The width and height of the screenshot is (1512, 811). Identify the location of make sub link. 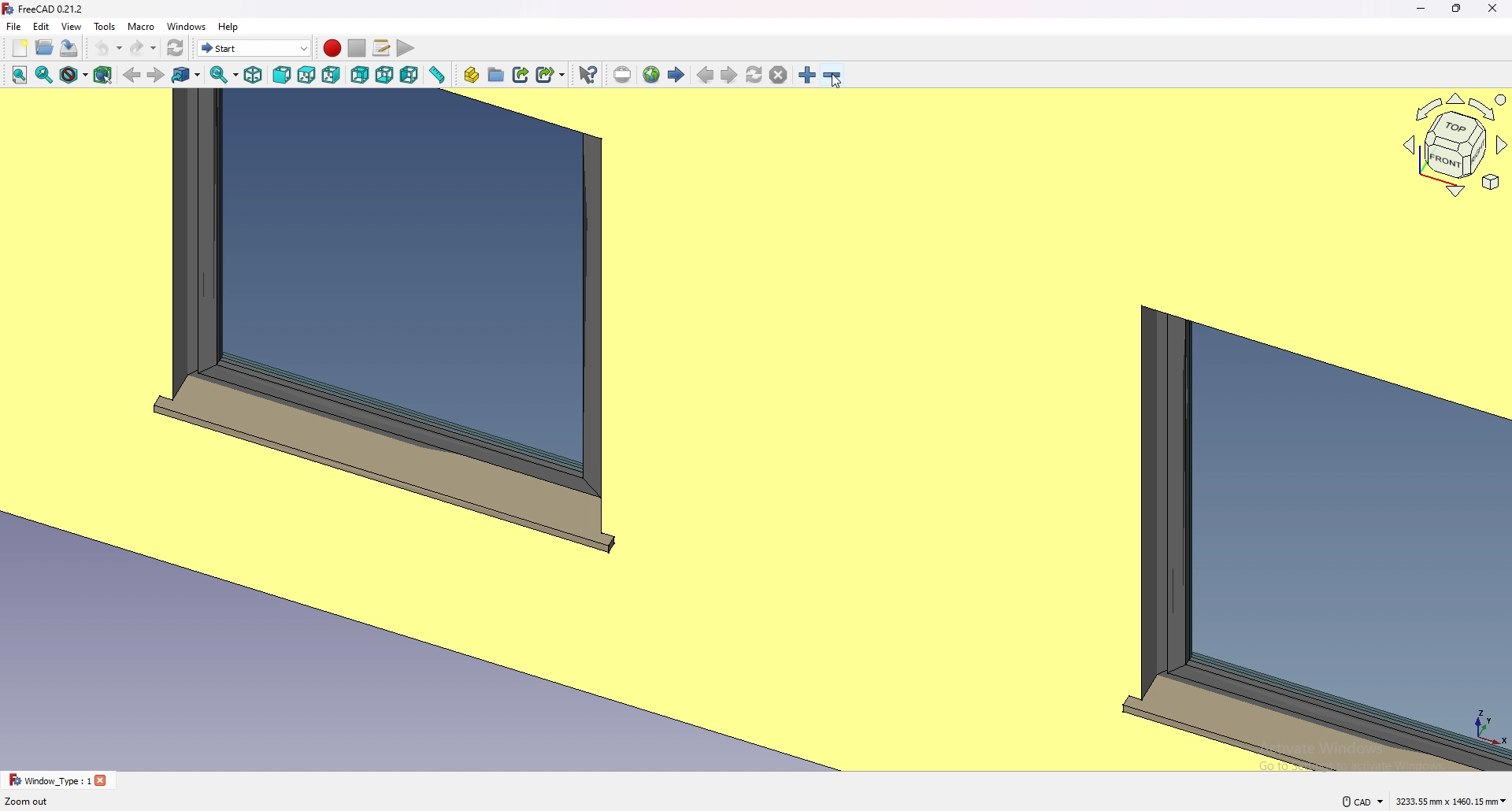
(551, 75).